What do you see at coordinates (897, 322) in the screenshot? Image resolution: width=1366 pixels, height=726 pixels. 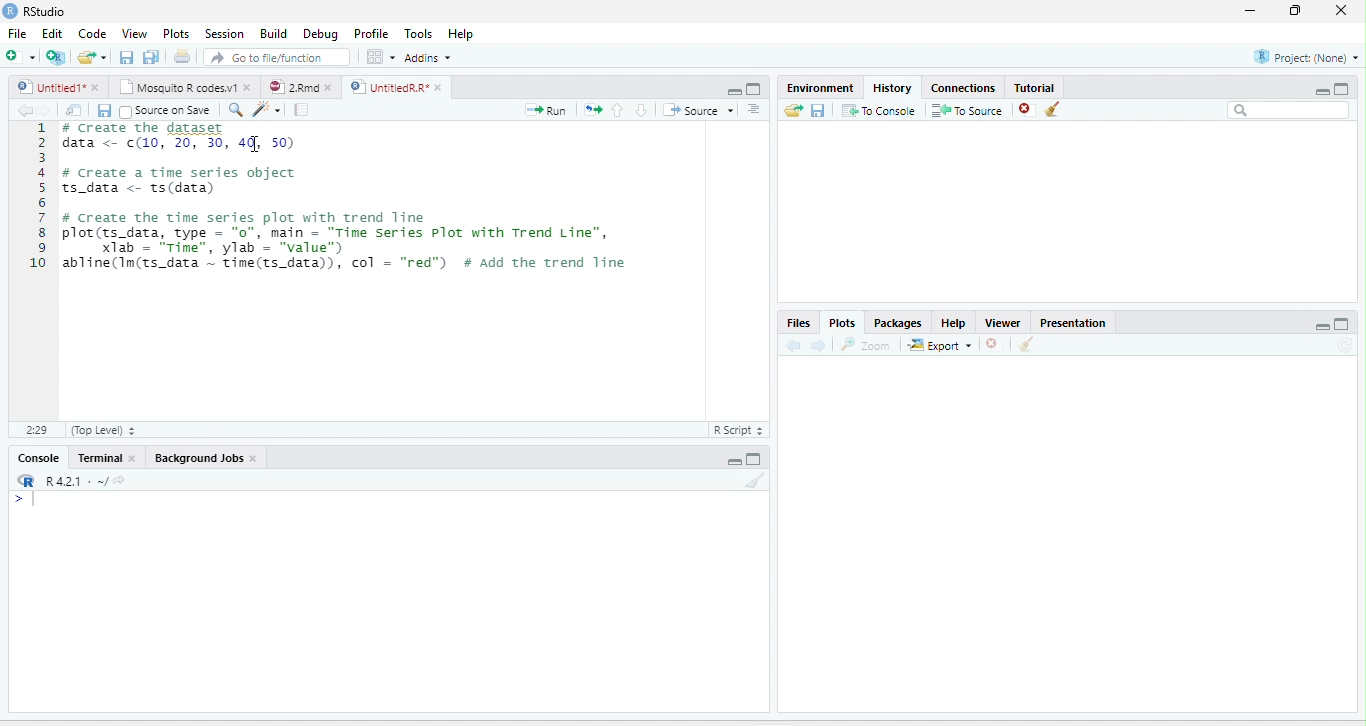 I see `Packages` at bounding box center [897, 322].